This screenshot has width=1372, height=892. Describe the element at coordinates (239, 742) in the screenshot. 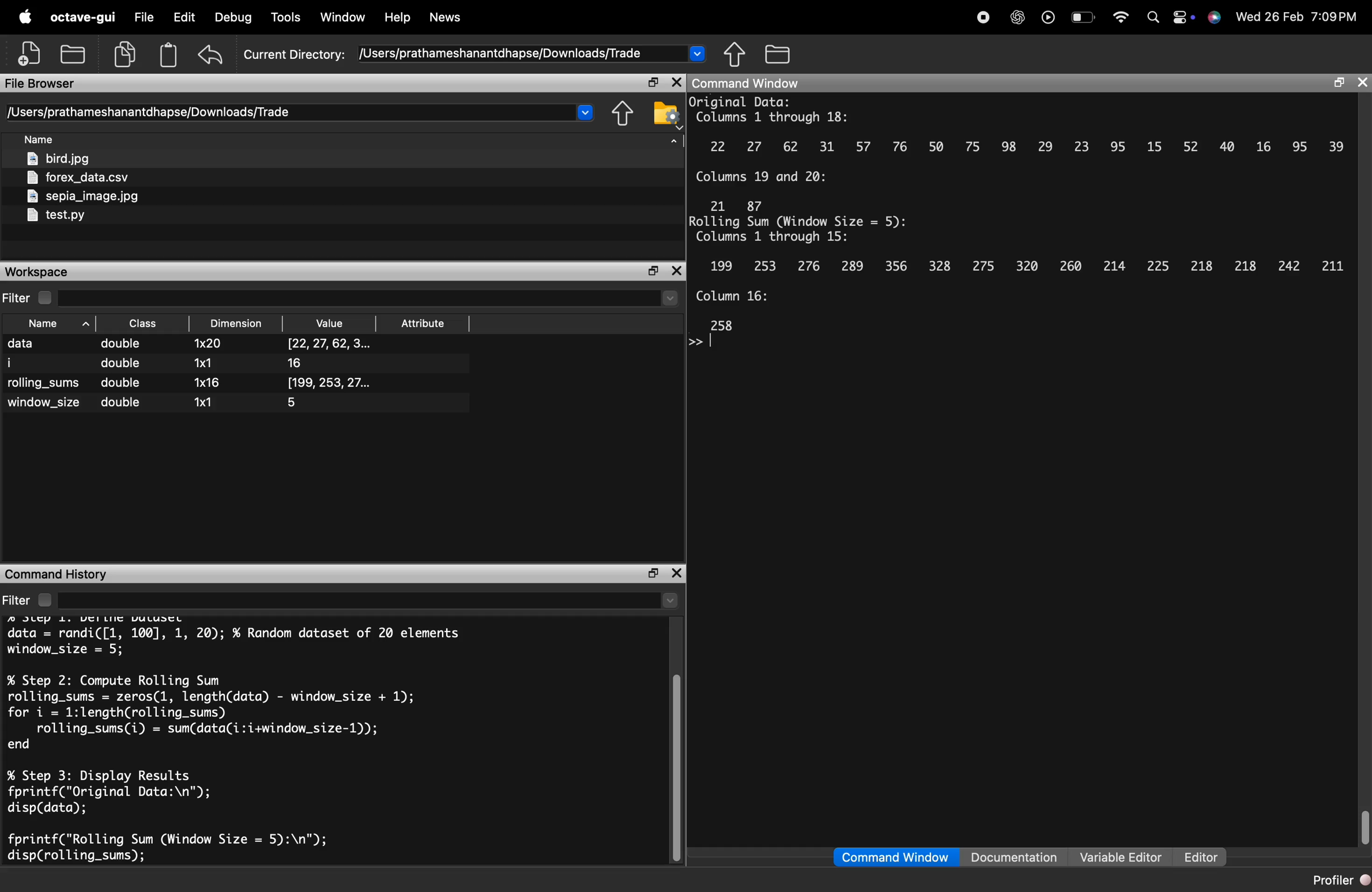

I see `console code - Rolling Sum Calculation in GNU Octave clc; clear; close all; % Clean workspace Step 1: Define Dataset data randi ([1, 100], 1, 20); % Random dataset of 20 elements window size = 5; Step 2: Compute Rolling Sum rolling_sums = zeros(1, length(data) window size + 1); for i 1:length(rolling_sums) rolling_sums(i) = sum(data(i:i+window_size-1)); end EX > Step 3: Display Results fprintf("Original Data:\n"); disp(data); fprintf("Rolling Sum (Window Size = 5):\n"); disp(rolling_sums)` at that location.